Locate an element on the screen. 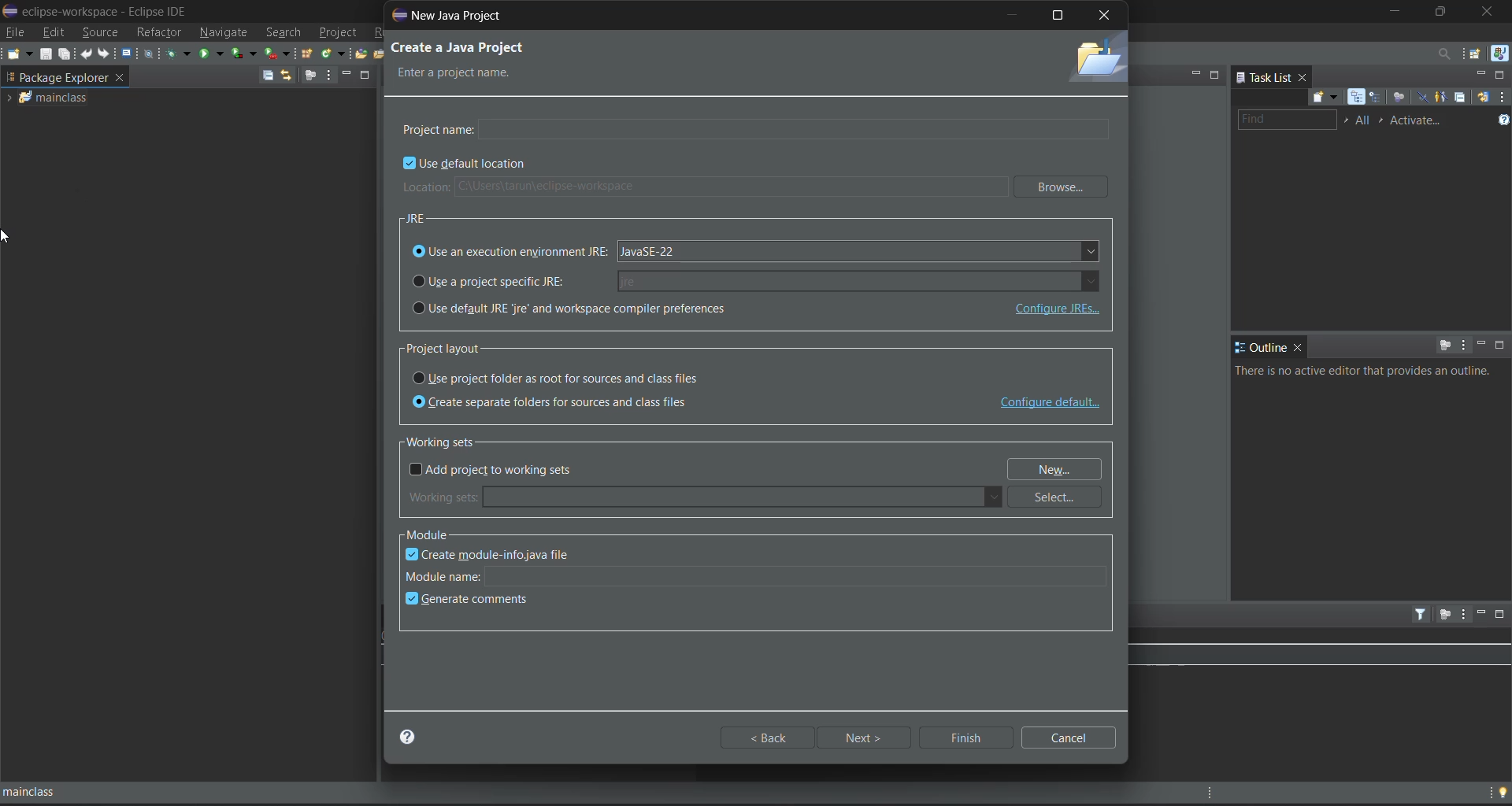  minimize is located at coordinates (1195, 73).